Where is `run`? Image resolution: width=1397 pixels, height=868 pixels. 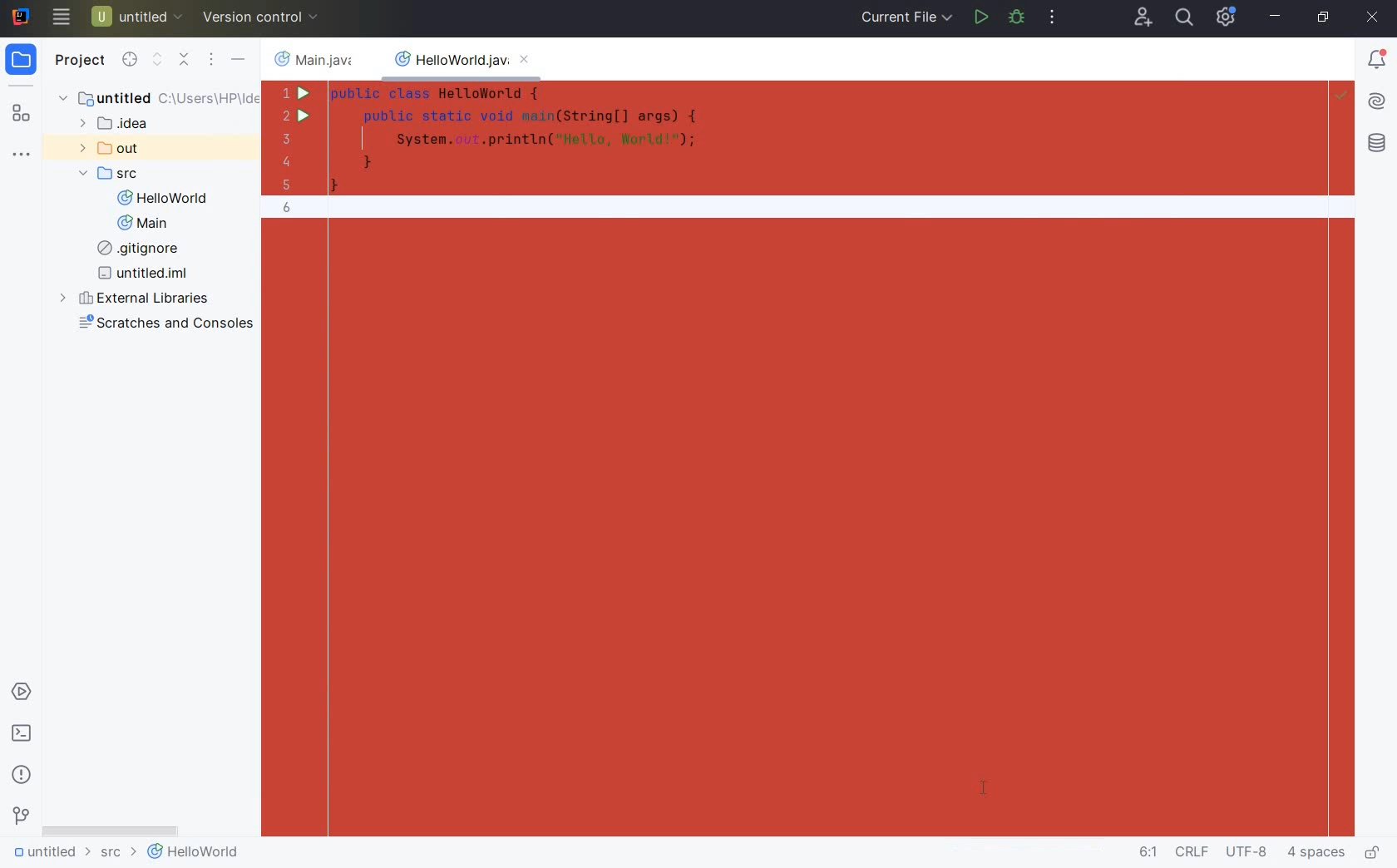
run is located at coordinates (980, 18).